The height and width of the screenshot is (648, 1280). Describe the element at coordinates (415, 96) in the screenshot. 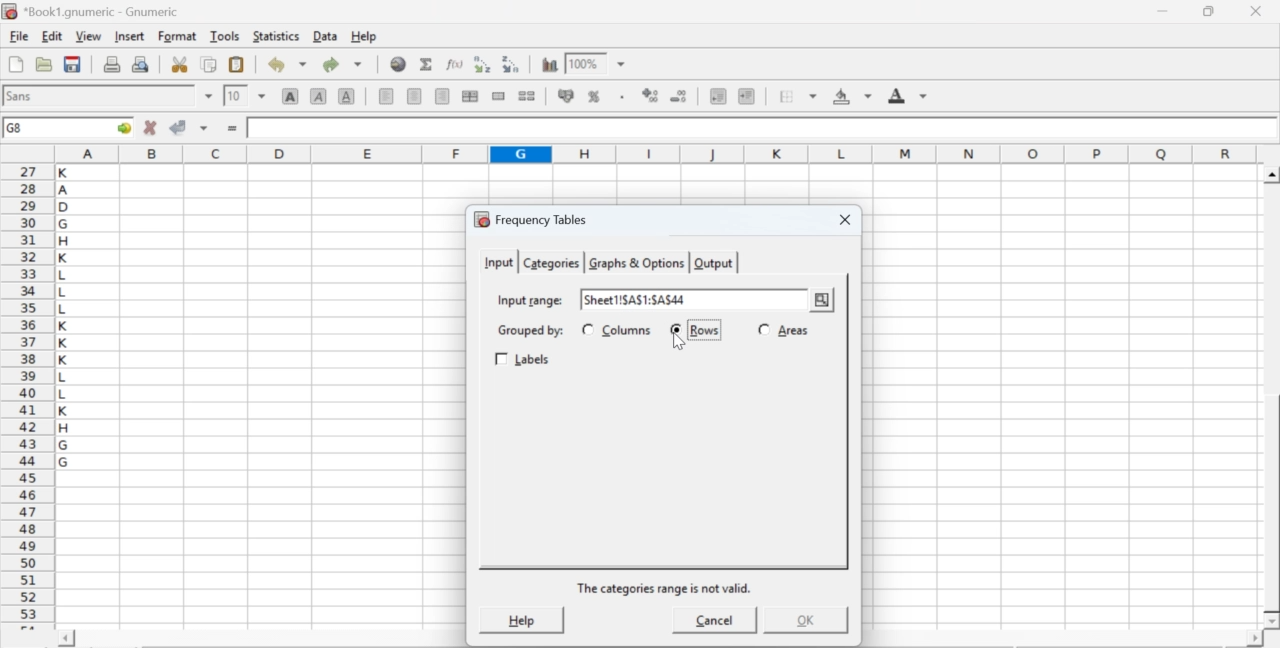

I see `center horizontally` at that location.